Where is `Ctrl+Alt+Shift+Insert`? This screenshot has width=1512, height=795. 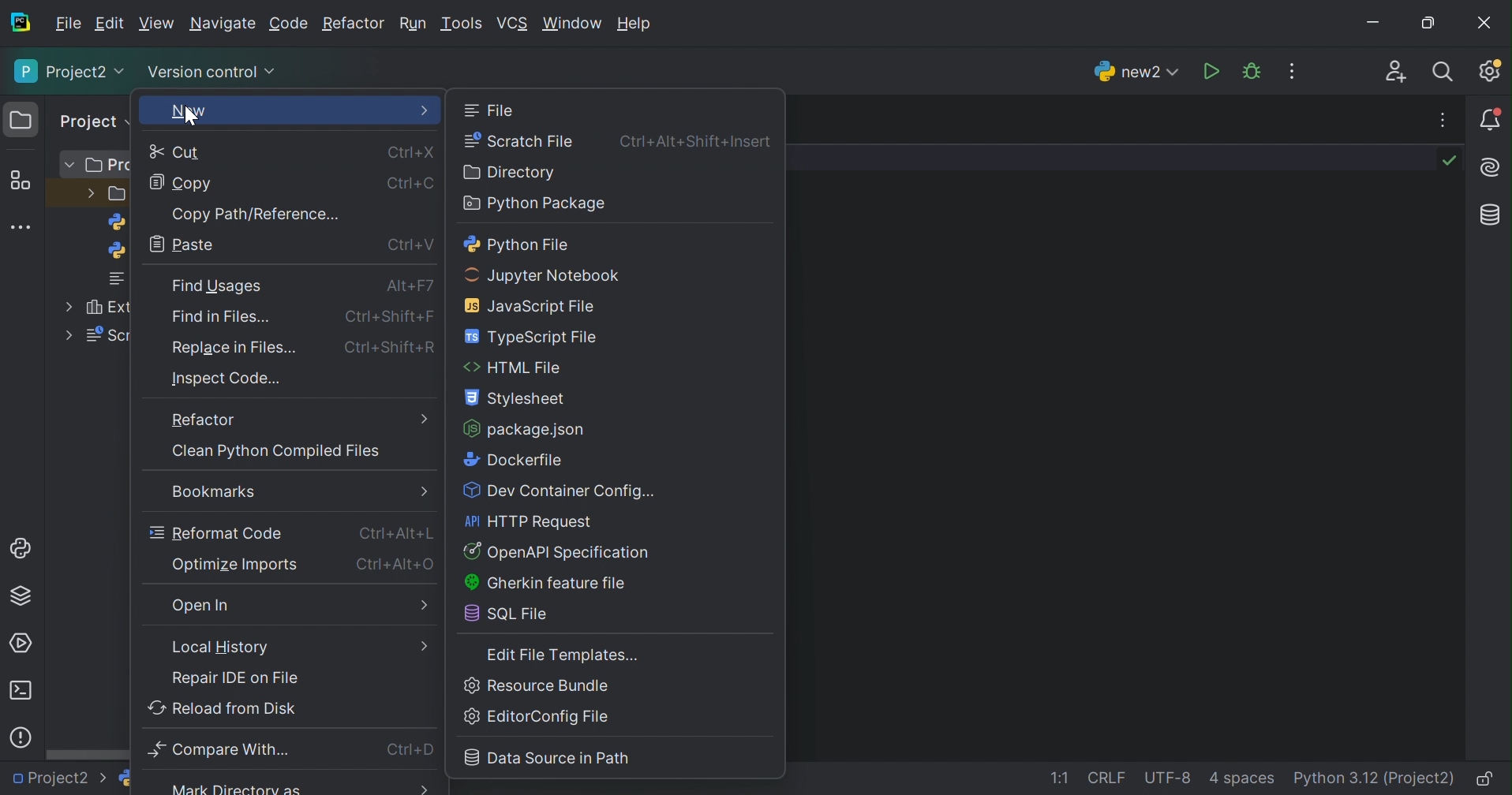 Ctrl+Alt+Shift+Insert is located at coordinates (696, 141).